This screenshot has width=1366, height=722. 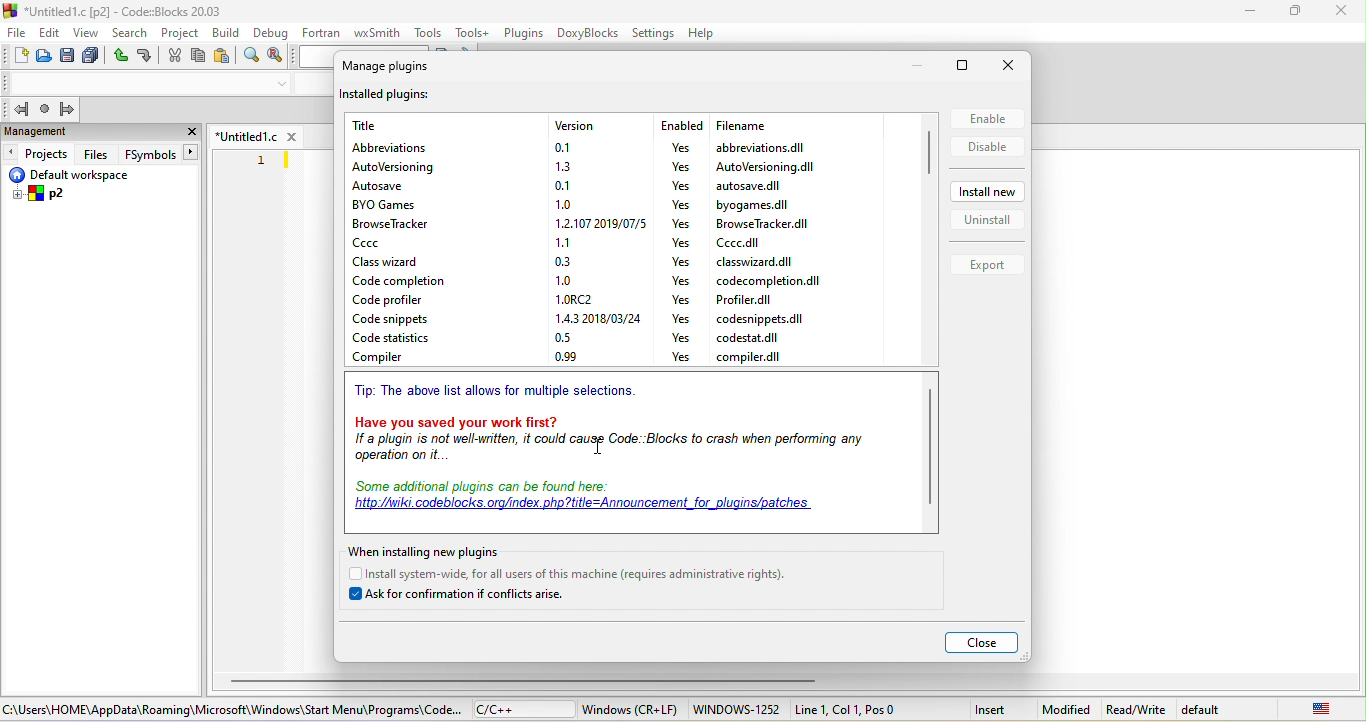 I want to click on C:\Users\HOME\AppData\Roaming\Microsoft\Windows\Start Menu\Programs\ Code..., so click(x=231, y=709).